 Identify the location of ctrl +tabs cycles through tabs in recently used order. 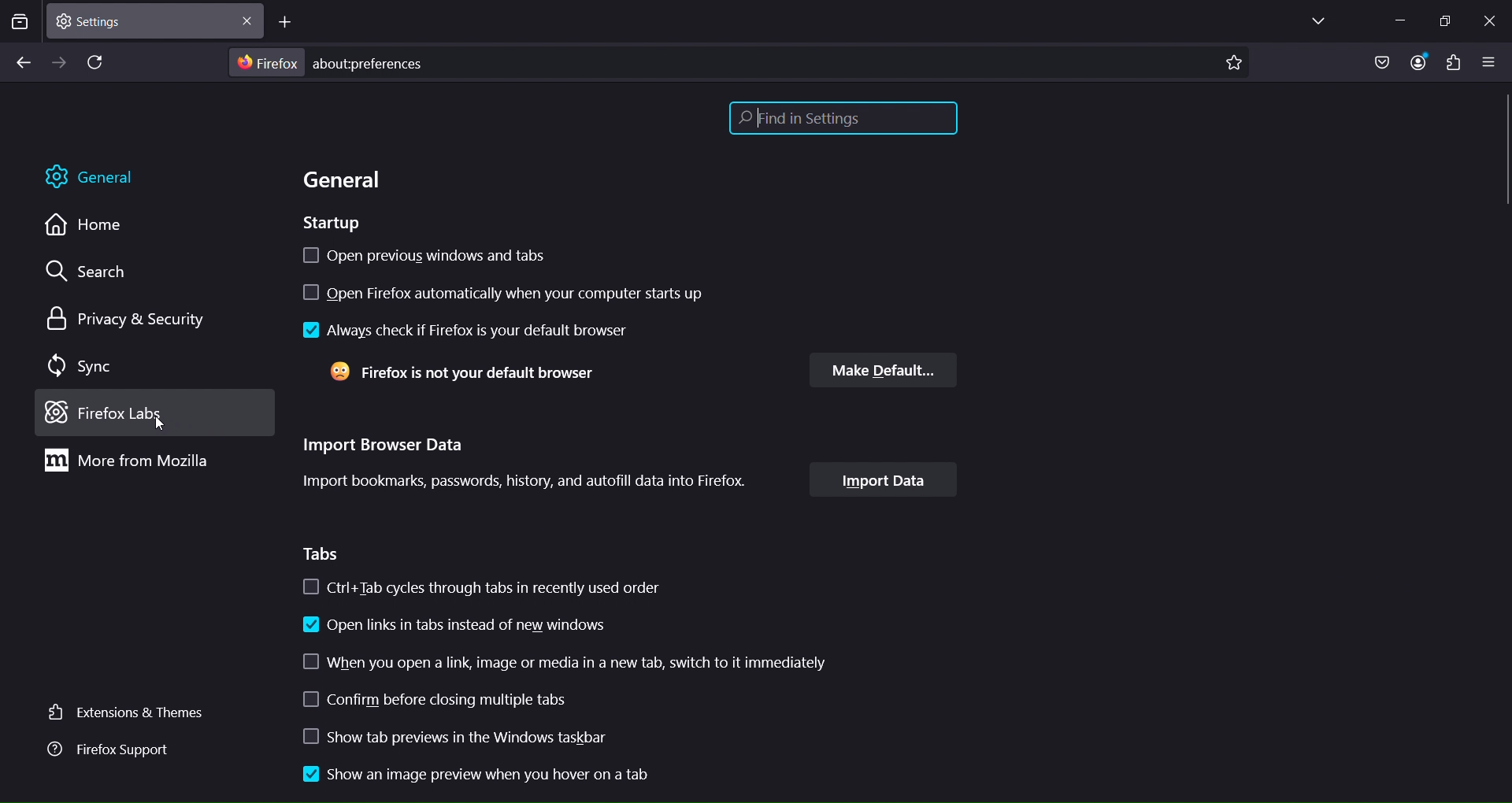
(497, 587).